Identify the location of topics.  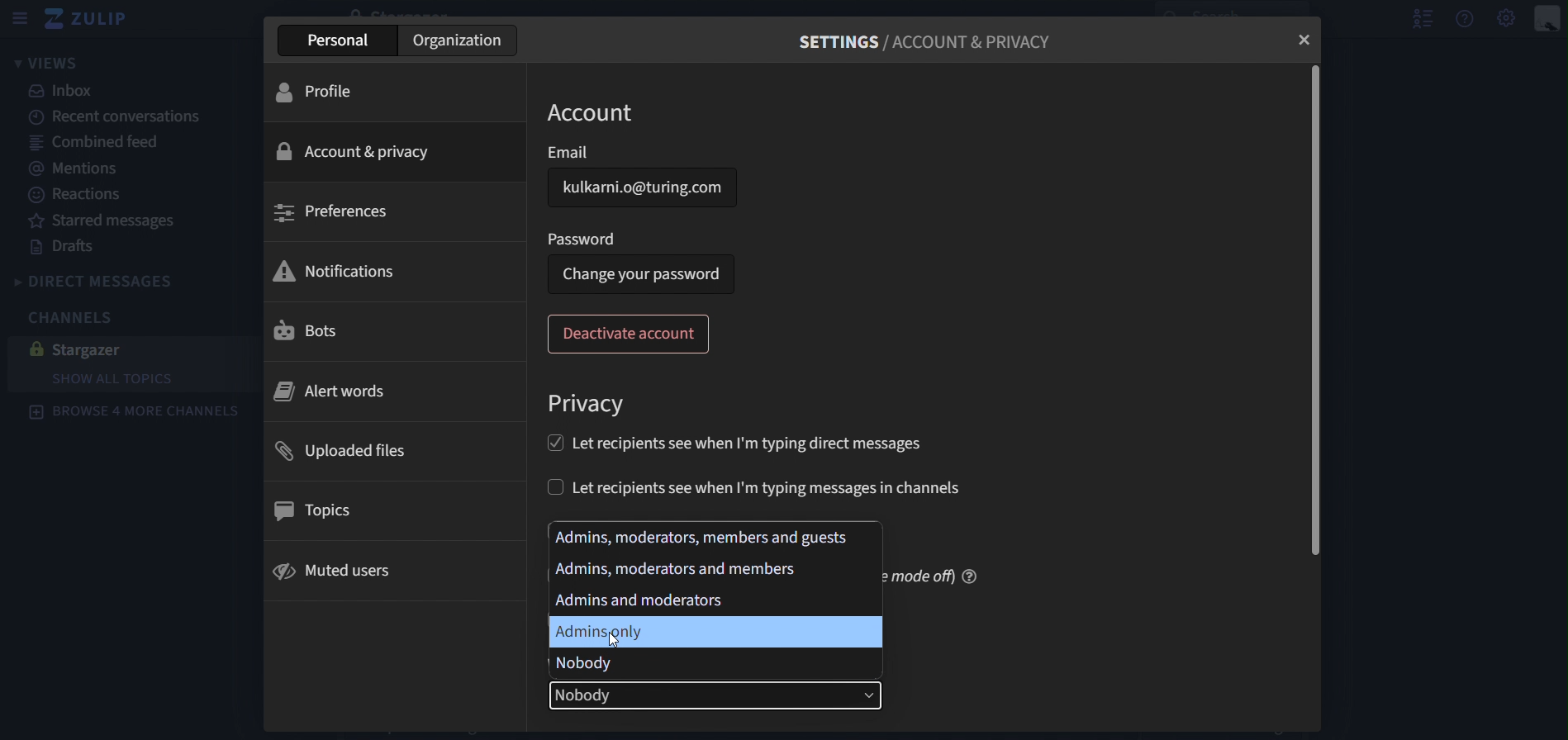
(325, 512).